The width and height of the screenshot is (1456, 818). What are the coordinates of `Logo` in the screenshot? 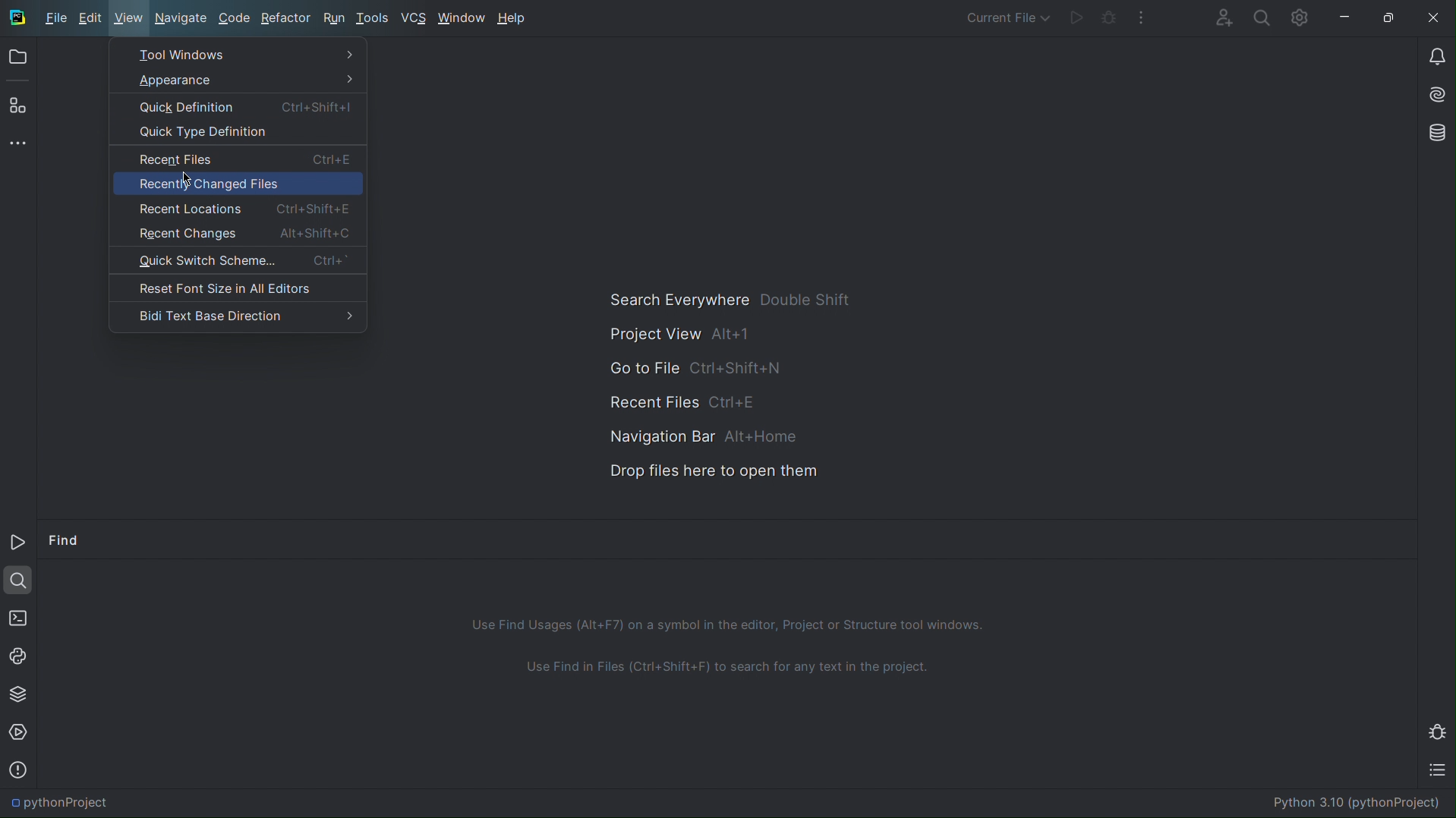 It's located at (17, 18).